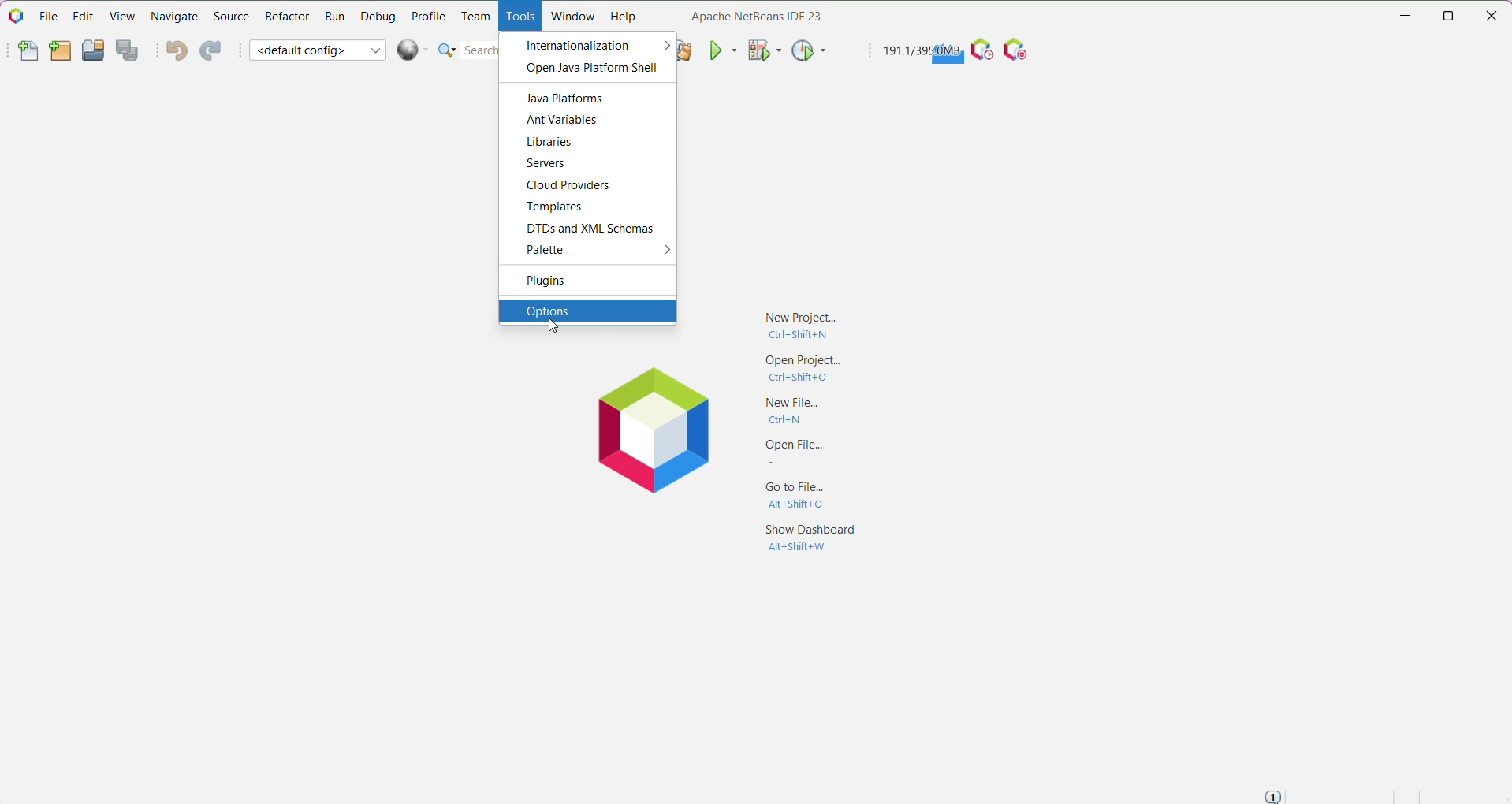 This screenshot has height=804, width=1512. I want to click on Click to force garbage collection, so click(921, 51).